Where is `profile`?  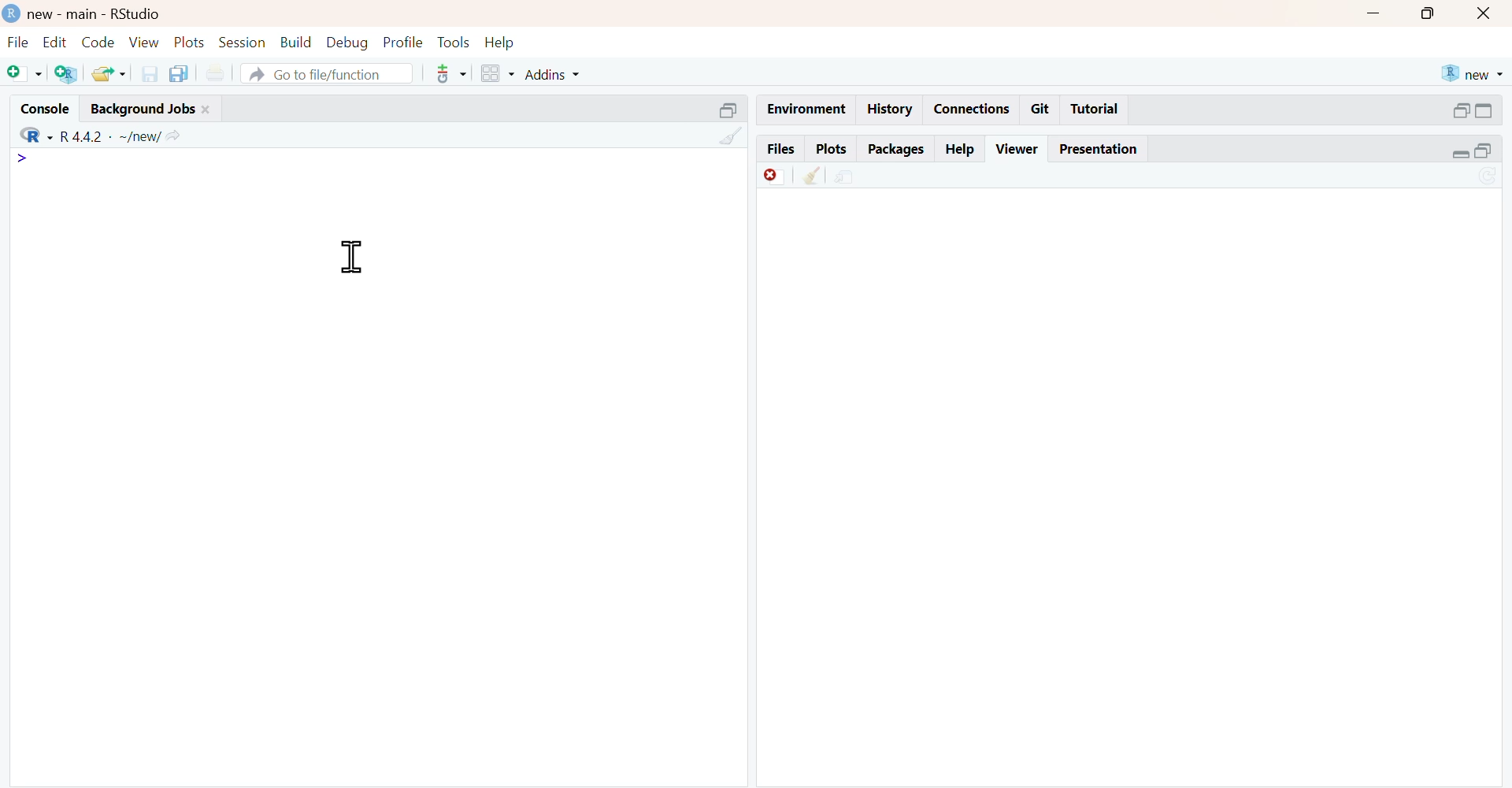
profile is located at coordinates (404, 42).